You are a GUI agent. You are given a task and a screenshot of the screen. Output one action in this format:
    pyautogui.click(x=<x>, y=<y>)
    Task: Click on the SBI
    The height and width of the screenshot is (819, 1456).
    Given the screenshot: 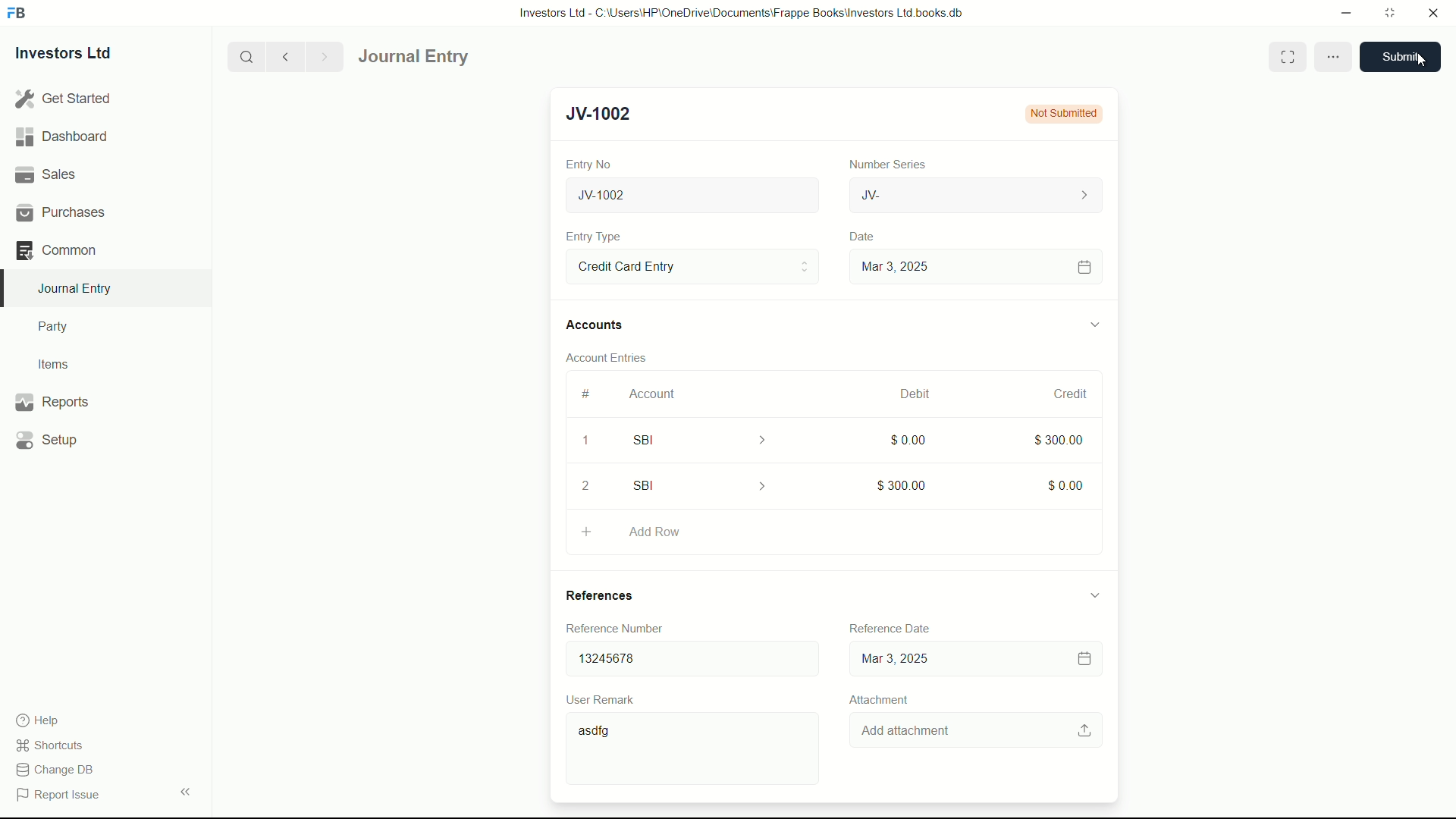 What is the action you would take?
    pyautogui.click(x=704, y=485)
    